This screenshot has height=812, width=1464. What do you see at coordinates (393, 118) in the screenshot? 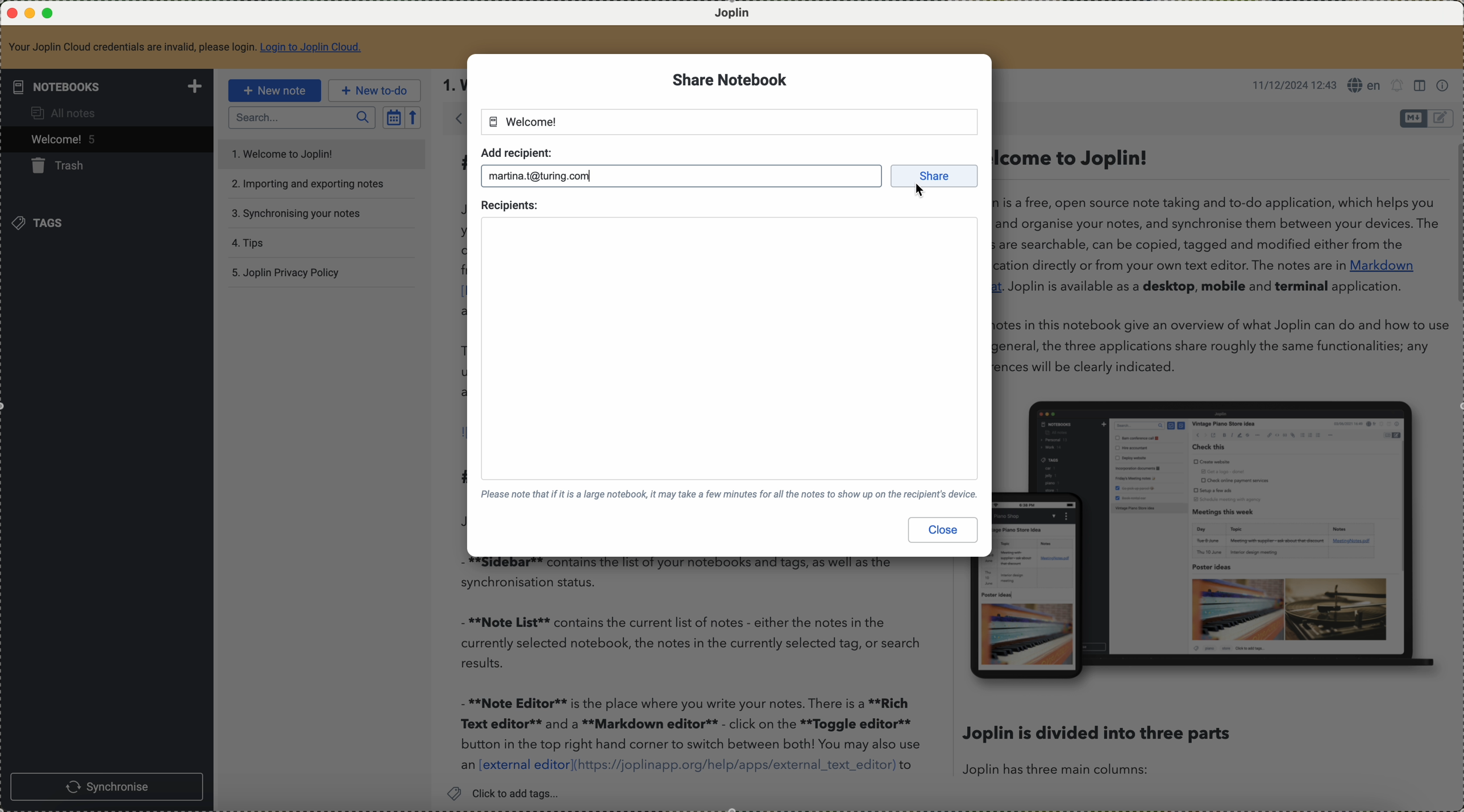
I see `toggle sort order field` at bounding box center [393, 118].